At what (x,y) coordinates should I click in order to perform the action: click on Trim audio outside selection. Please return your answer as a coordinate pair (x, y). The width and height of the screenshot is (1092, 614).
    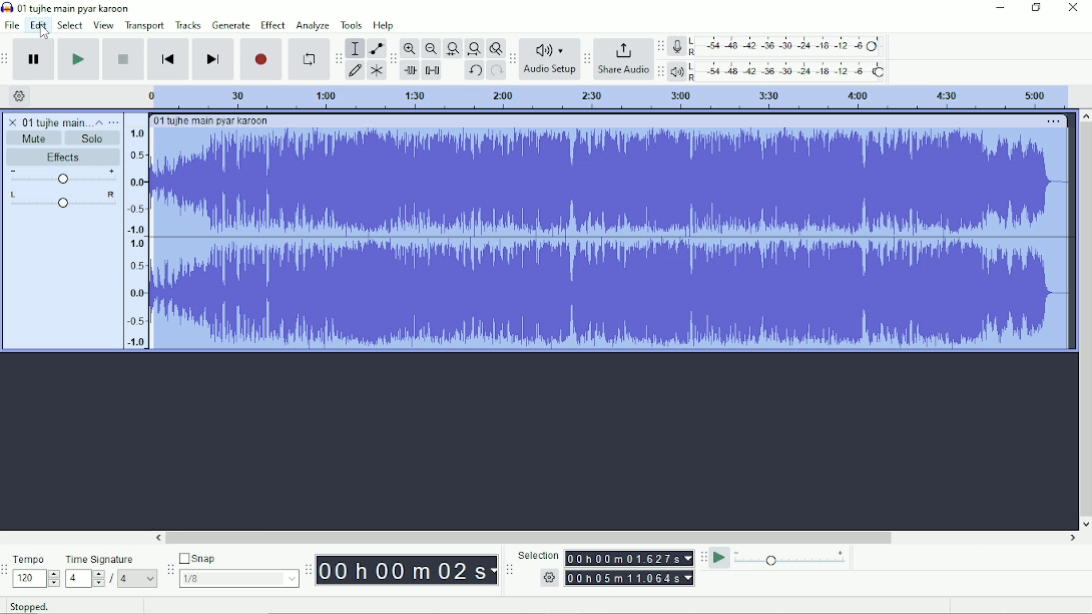
    Looking at the image, I should click on (412, 71).